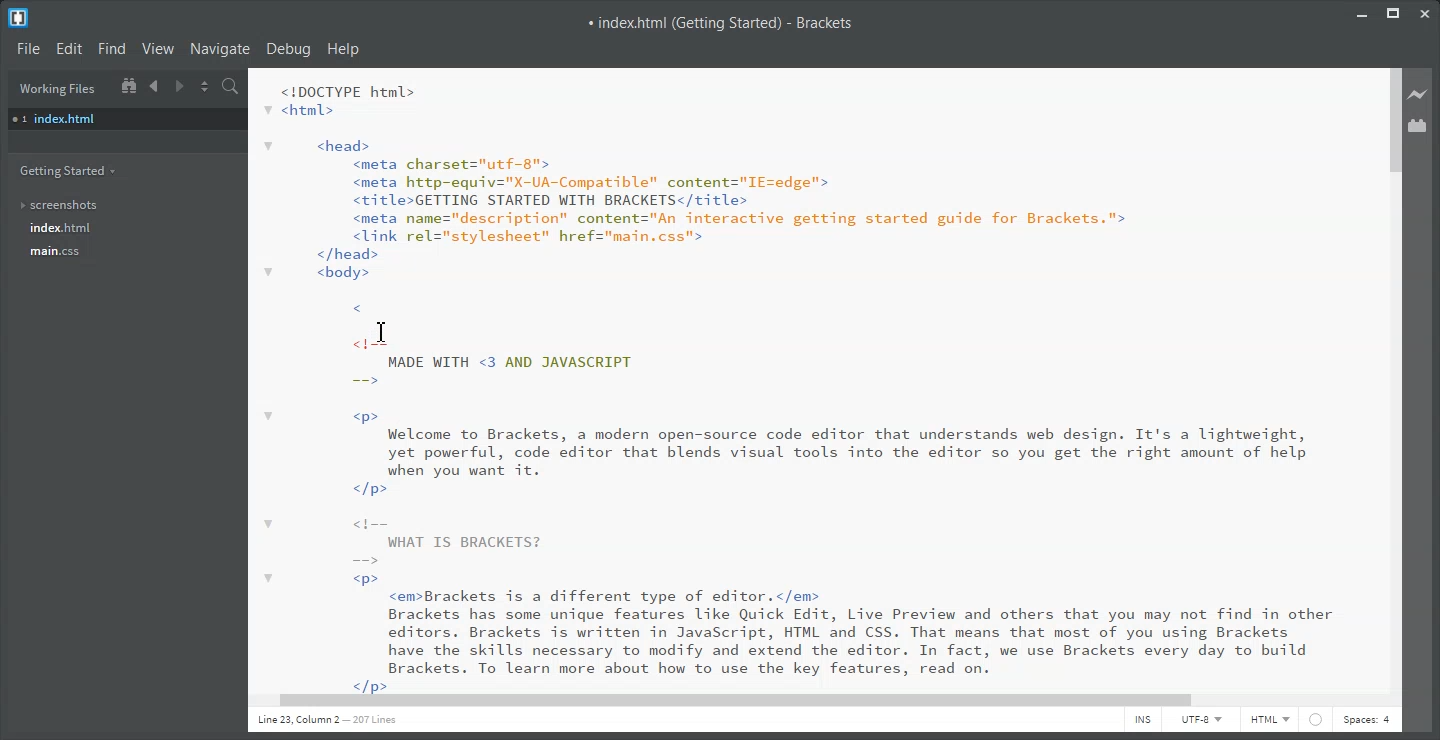 The width and height of the screenshot is (1440, 740). Describe the element at coordinates (126, 119) in the screenshot. I see `Index.html` at that location.